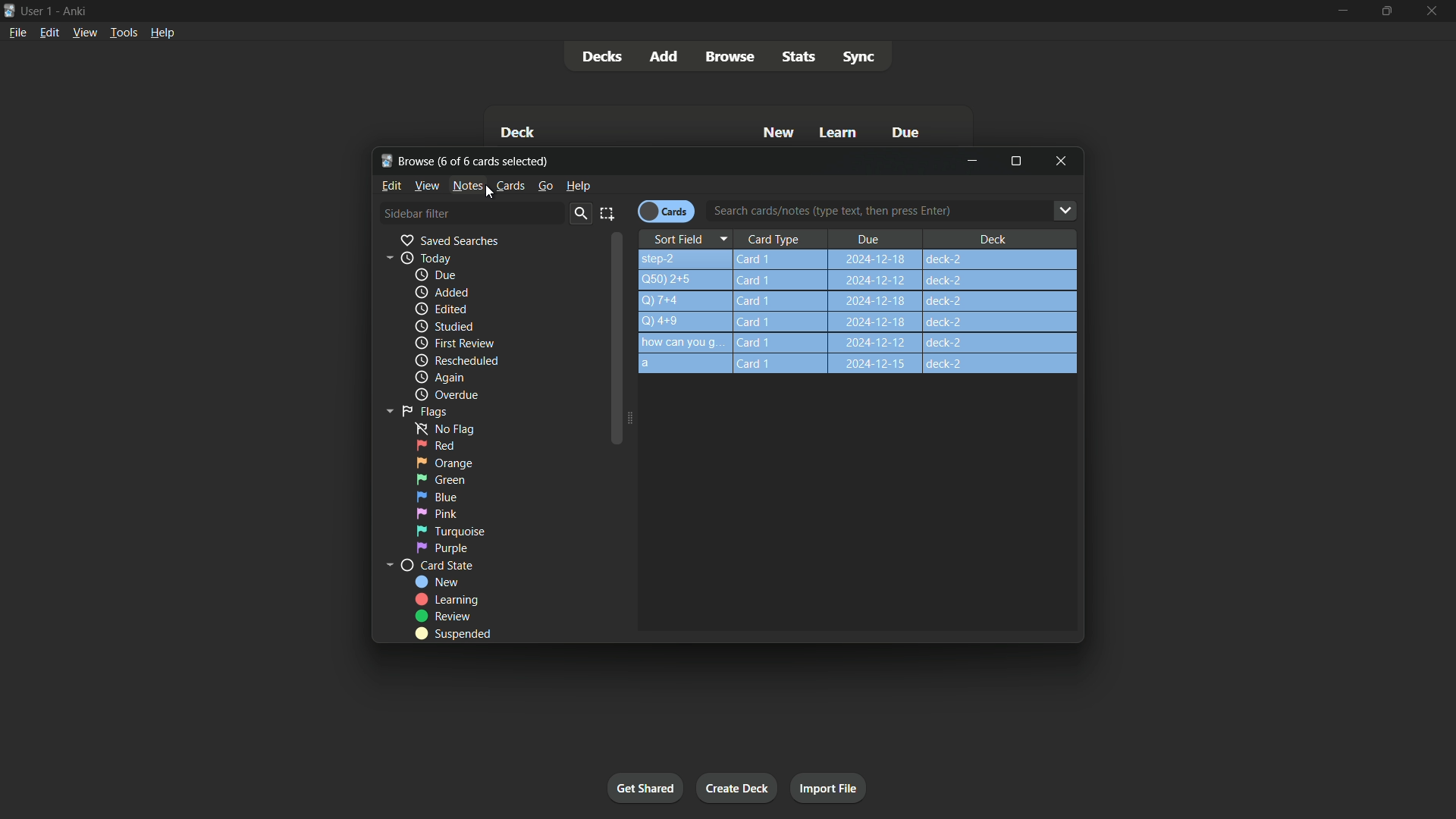 The height and width of the screenshot is (819, 1456). Describe the element at coordinates (868, 238) in the screenshot. I see `Due` at that location.